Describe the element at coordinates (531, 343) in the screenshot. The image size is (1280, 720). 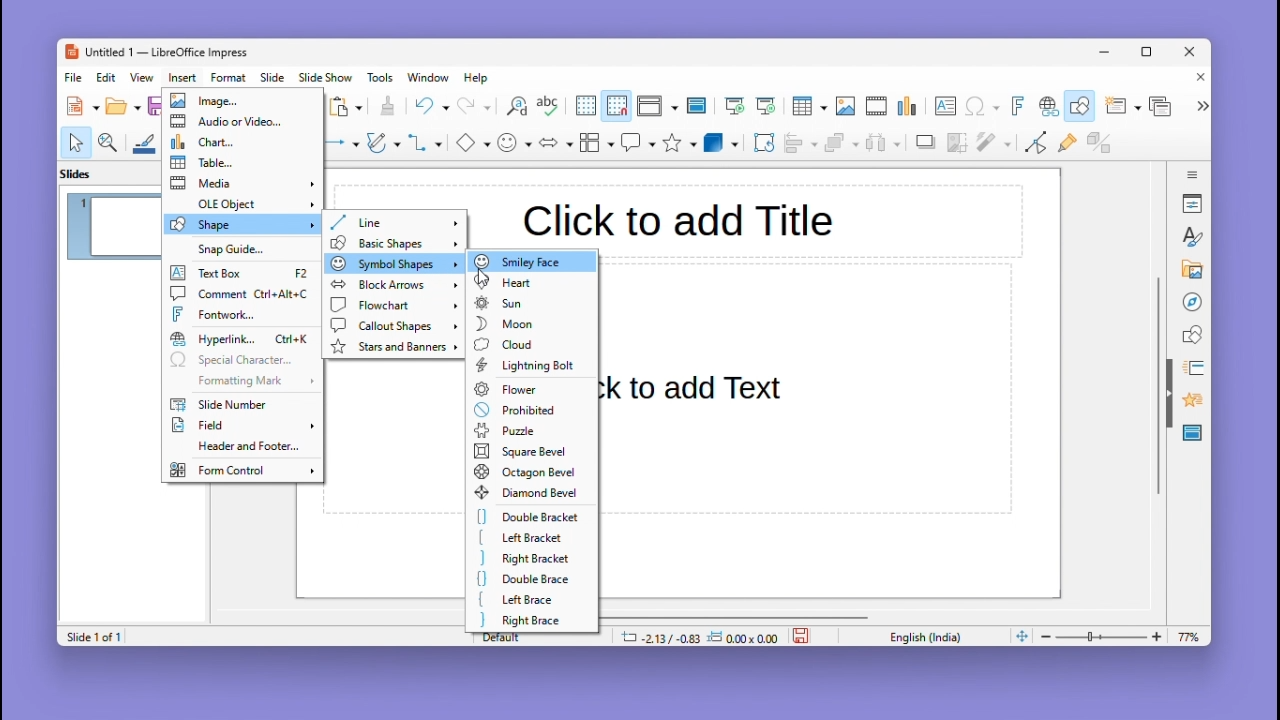
I see `Cloud` at that location.